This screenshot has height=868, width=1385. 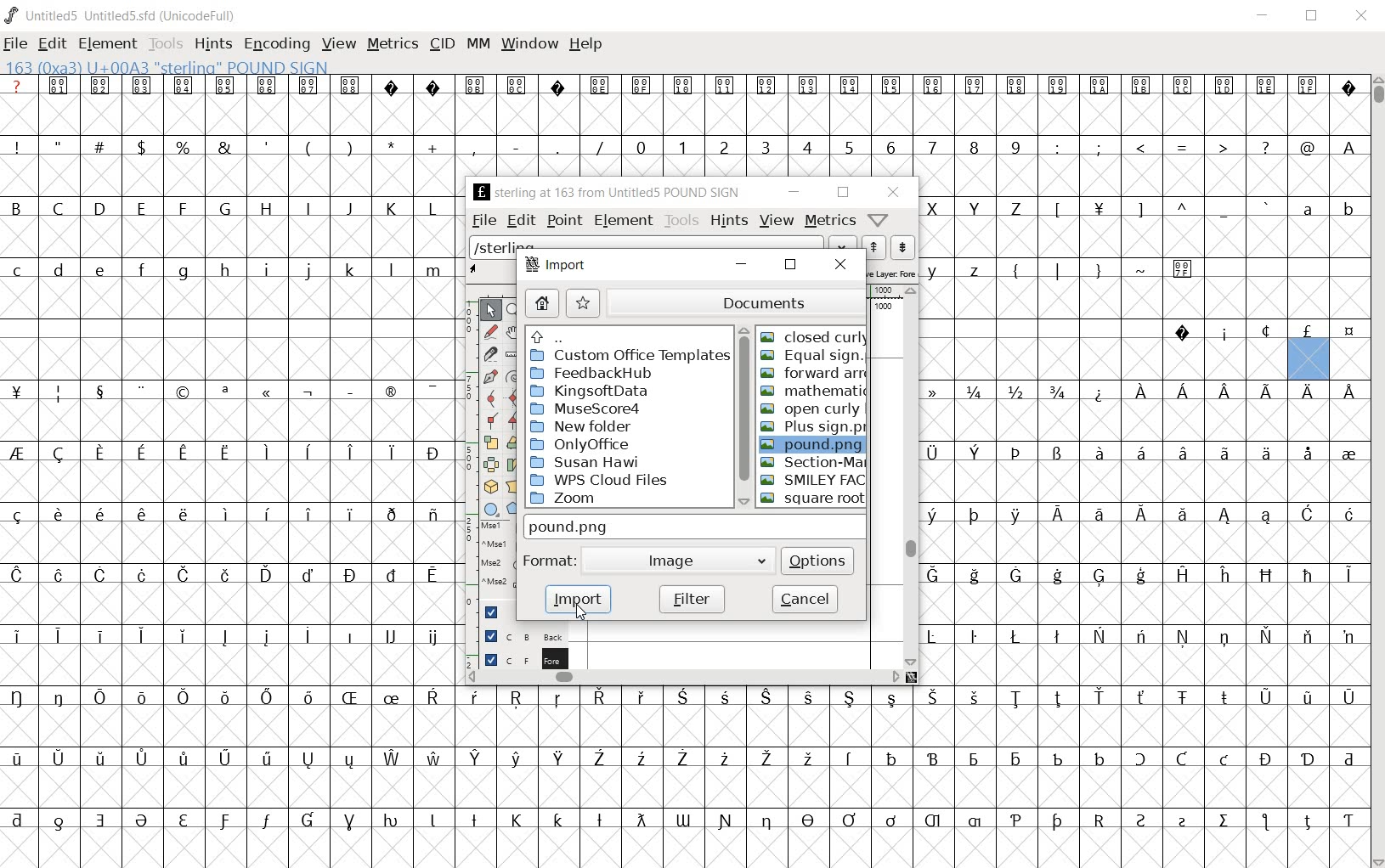 What do you see at coordinates (349, 454) in the screenshot?
I see `Symbol` at bounding box center [349, 454].